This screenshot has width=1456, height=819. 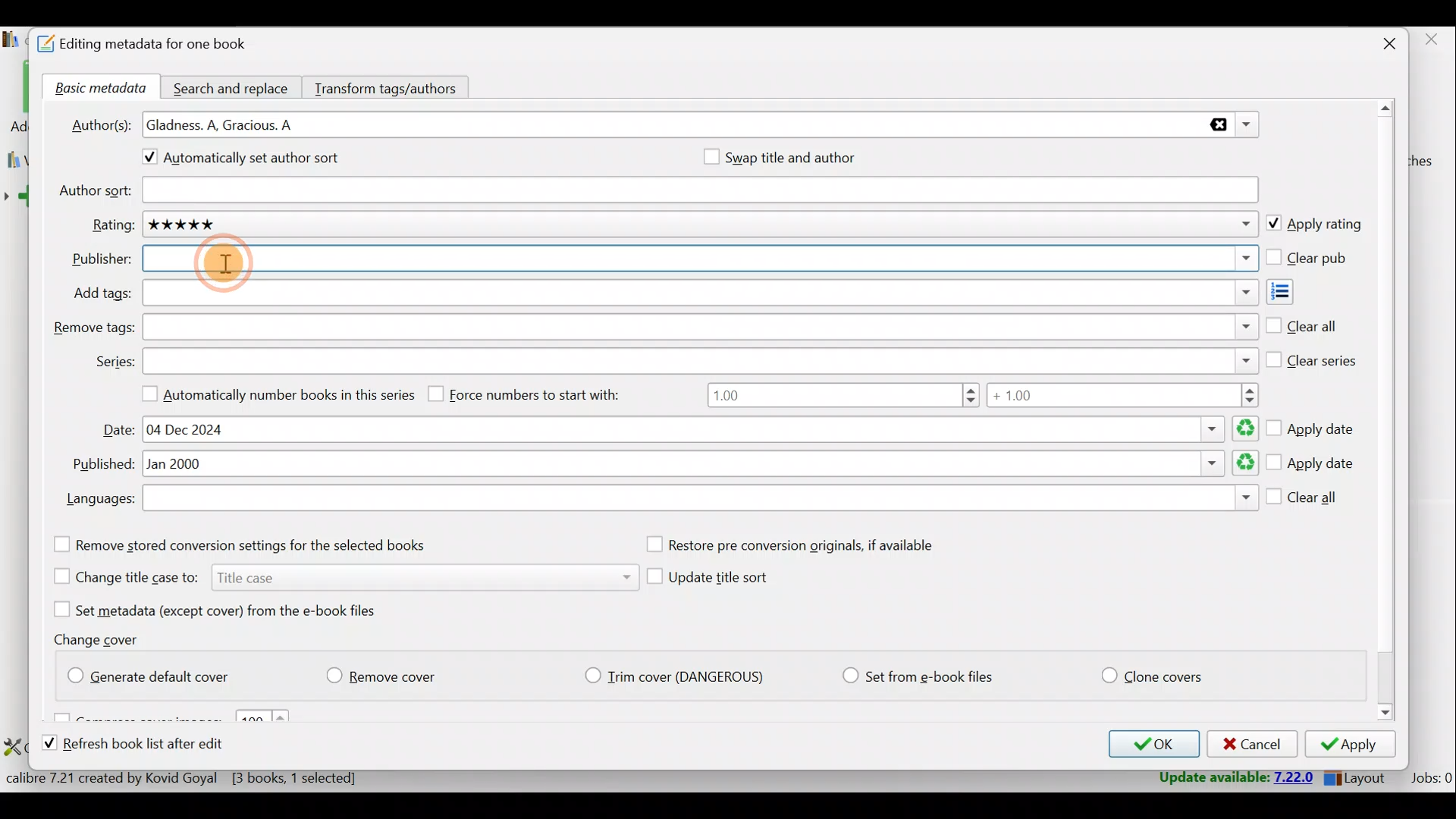 What do you see at coordinates (102, 259) in the screenshot?
I see `Publisher:` at bounding box center [102, 259].